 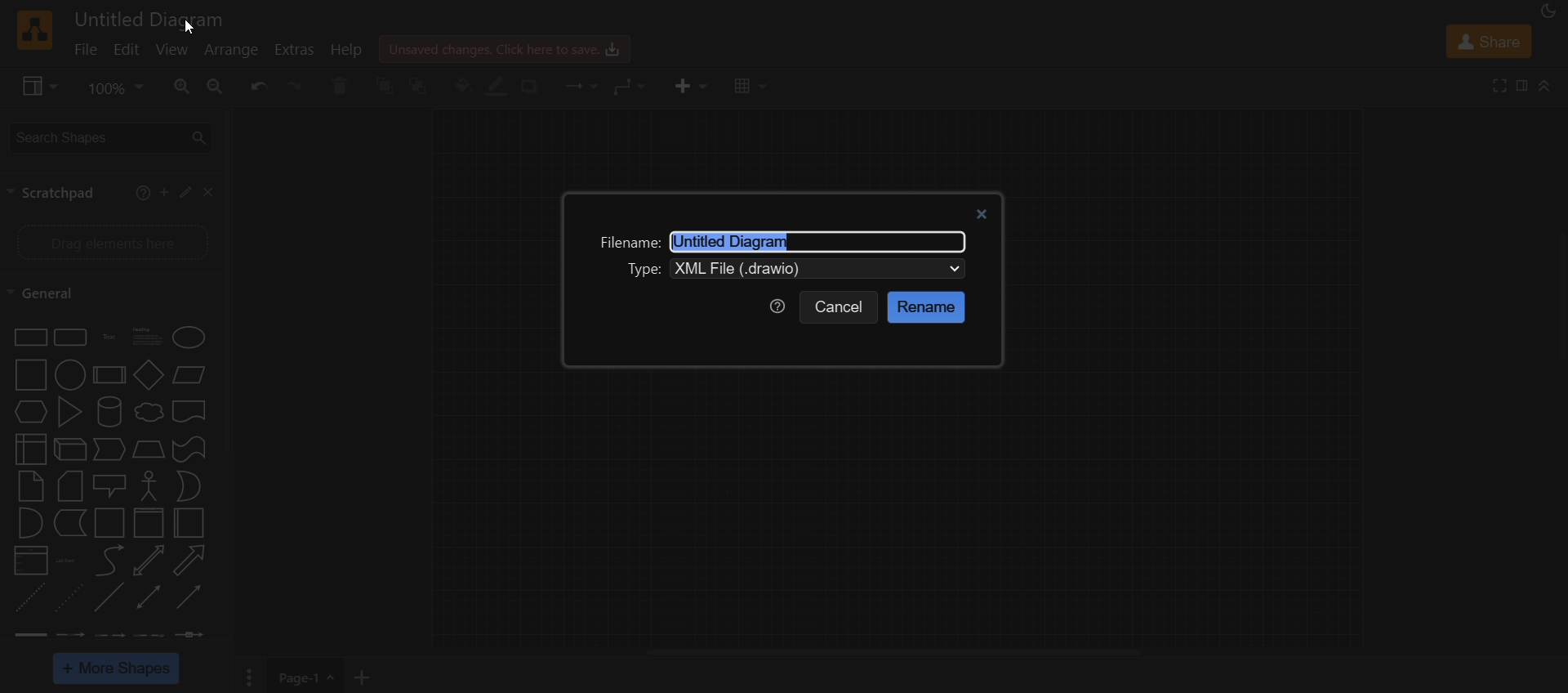 I want to click on rename, so click(x=926, y=306).